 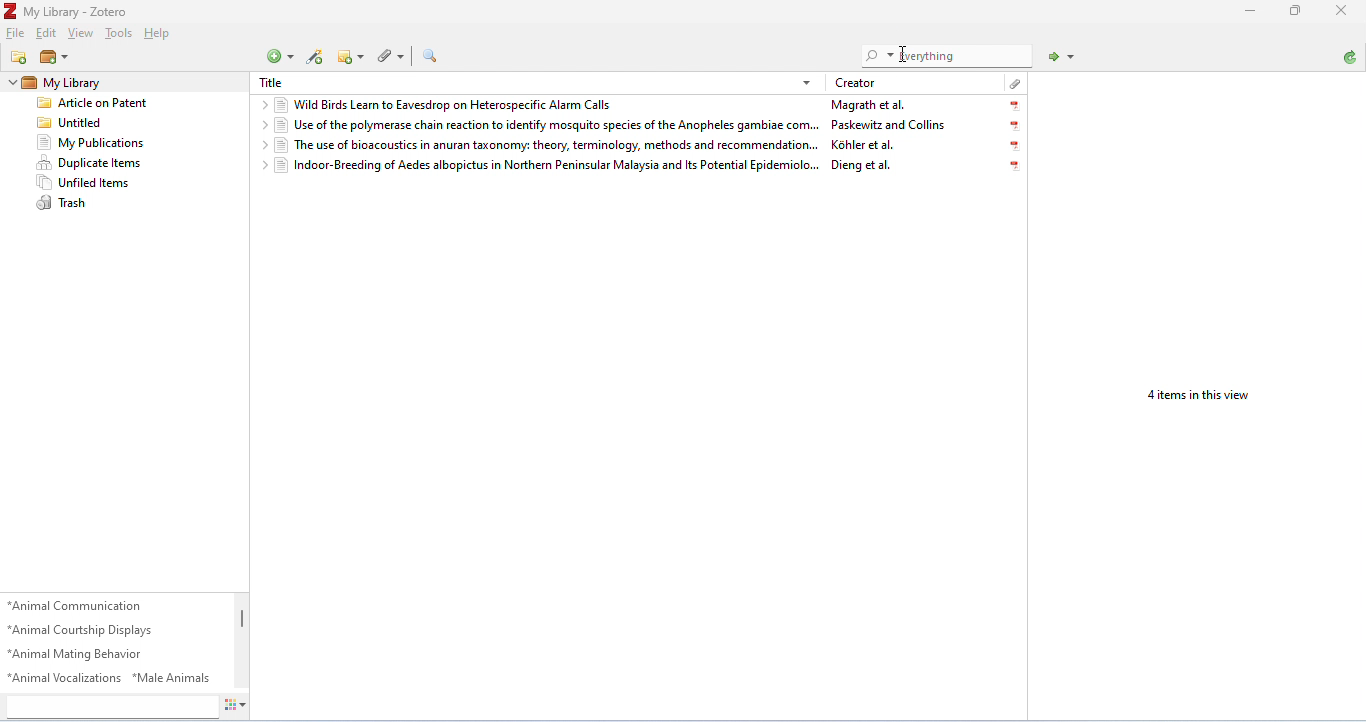 I want to click on Cursor Position, so click(x=902, y=55).